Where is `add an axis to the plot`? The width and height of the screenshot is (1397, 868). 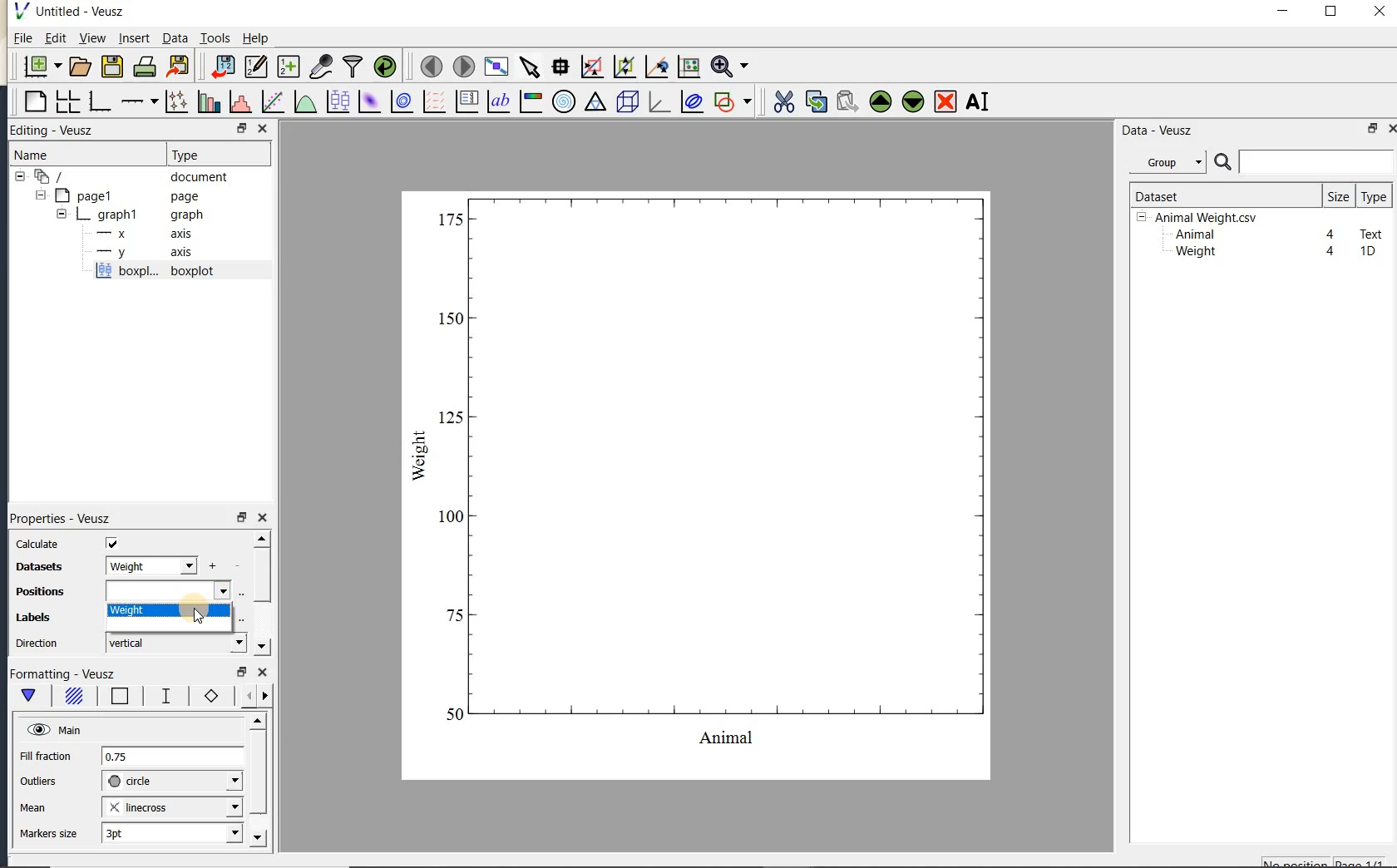
add an axis to the plot is located at coordinates (139, 101).